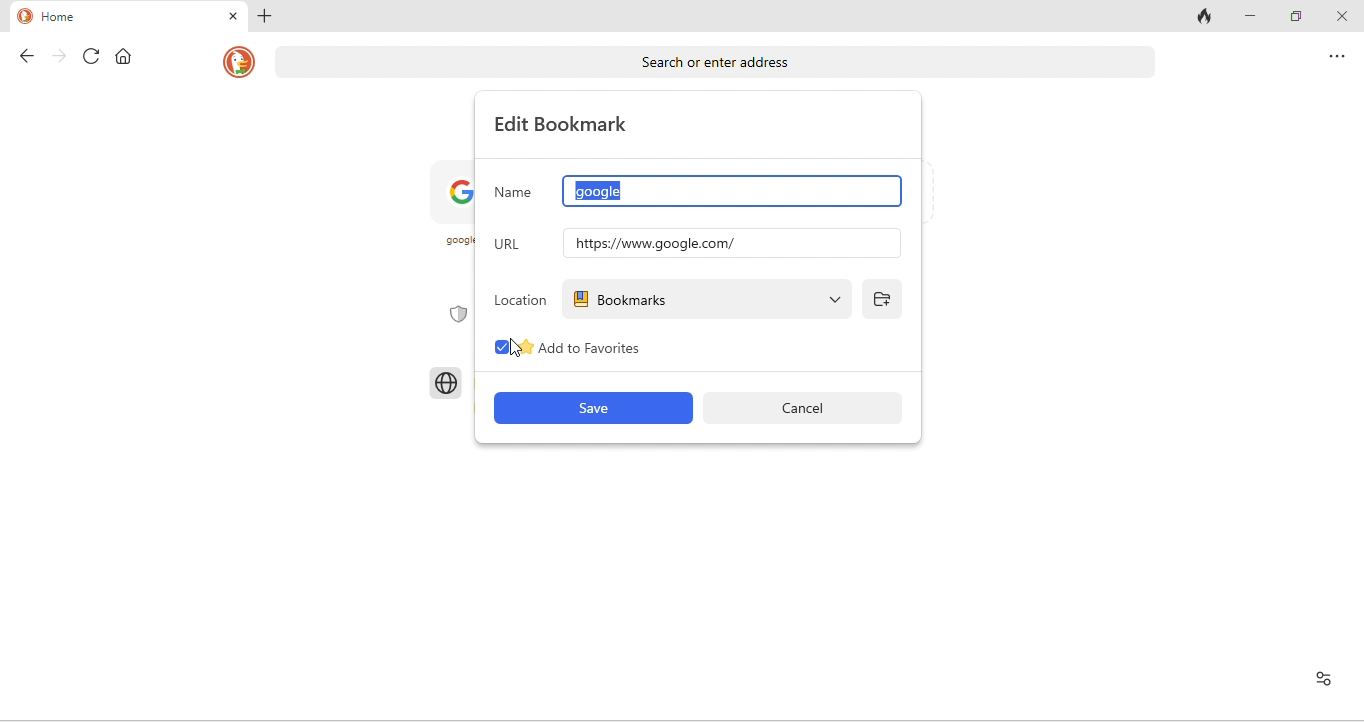 This screenshot has height=722, width=1364. I want to click on search or enter address, so click(714, 61).